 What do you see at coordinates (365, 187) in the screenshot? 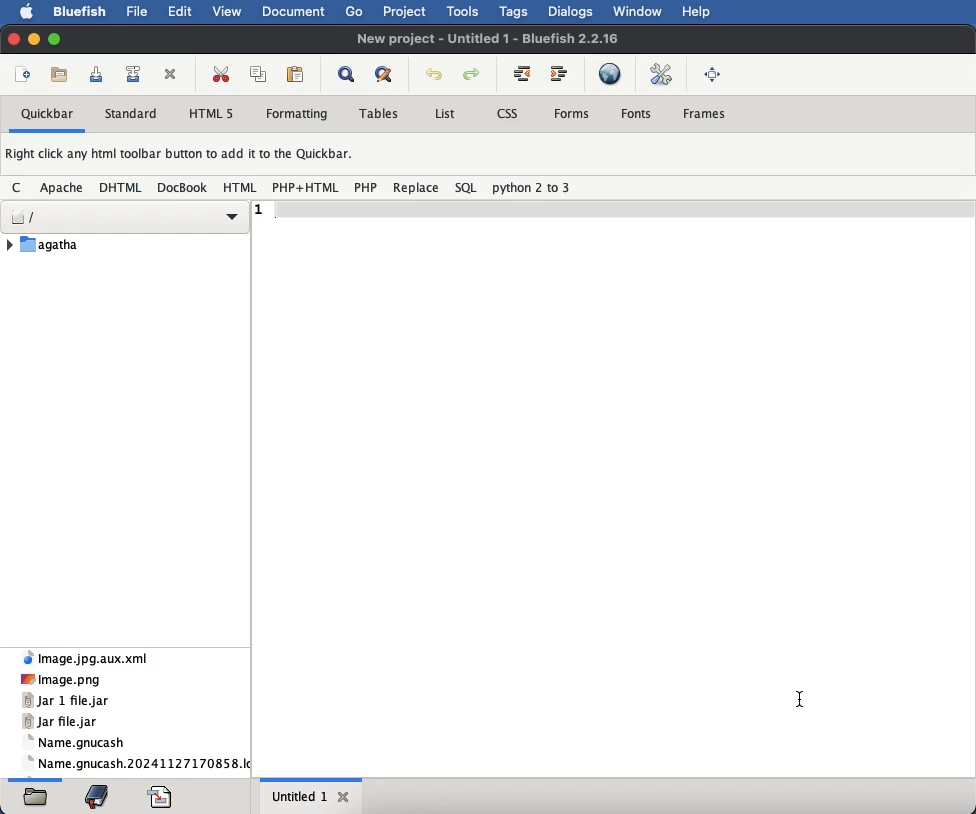
I see `php` at bounding box center [365, 187].